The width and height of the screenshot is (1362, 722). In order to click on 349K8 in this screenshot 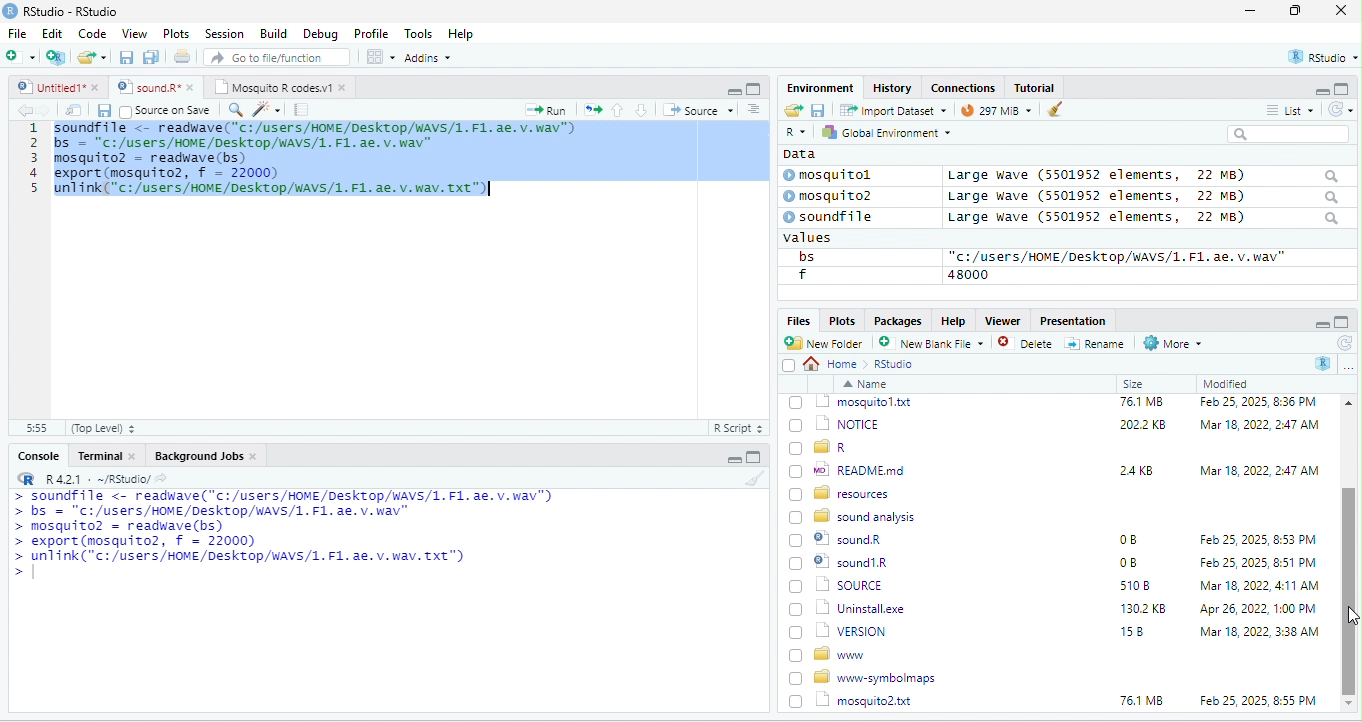, I will do `click(1140, 475)`.